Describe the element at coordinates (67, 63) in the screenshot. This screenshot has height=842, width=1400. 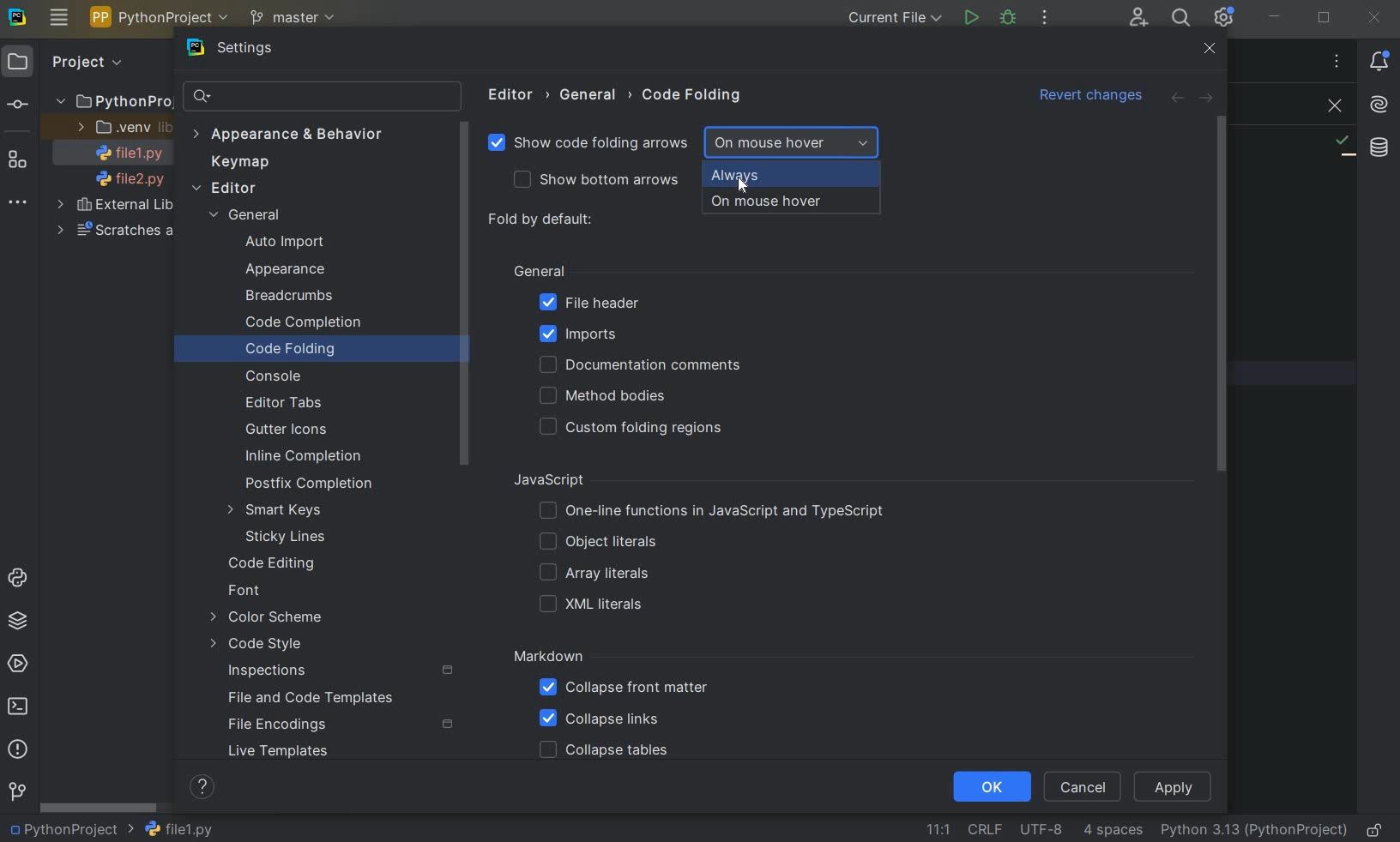
I see `PROJECT` at that location.